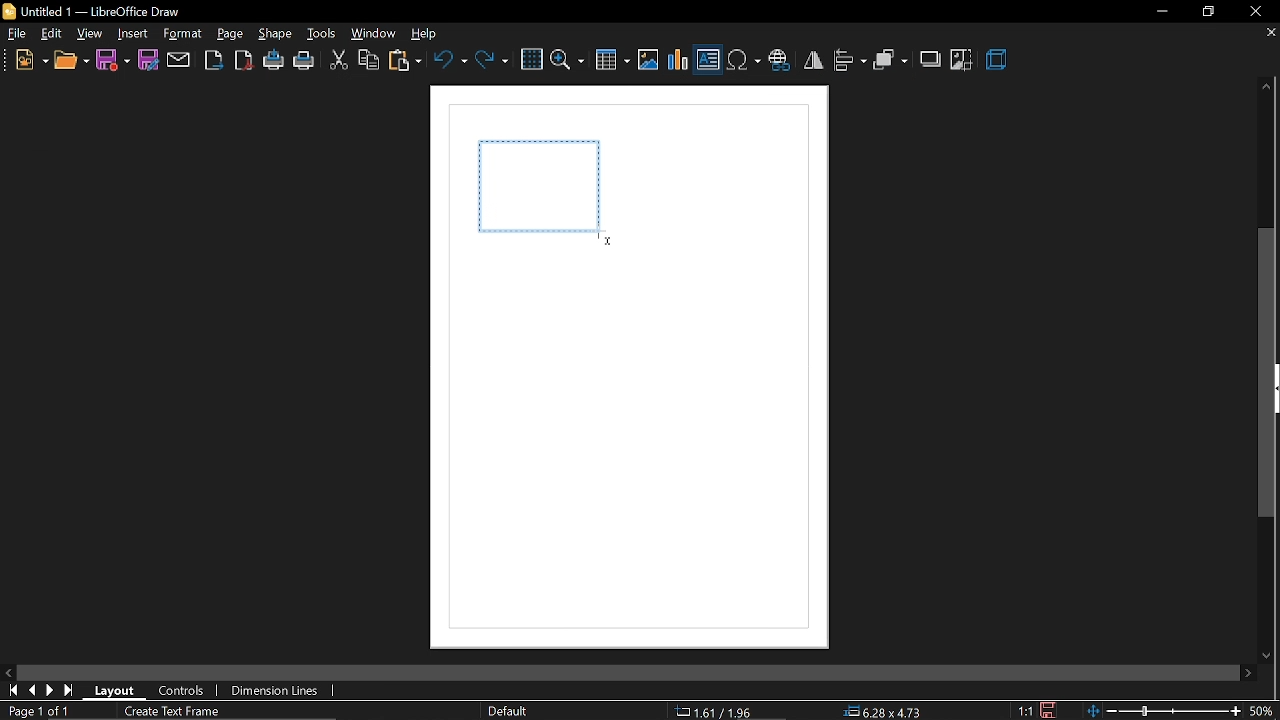 This screenshot has height=720, width=1280. What do you see at coordinates (963, 60) in the screenshot?
I see `crop` at bounding box center [963, 60].